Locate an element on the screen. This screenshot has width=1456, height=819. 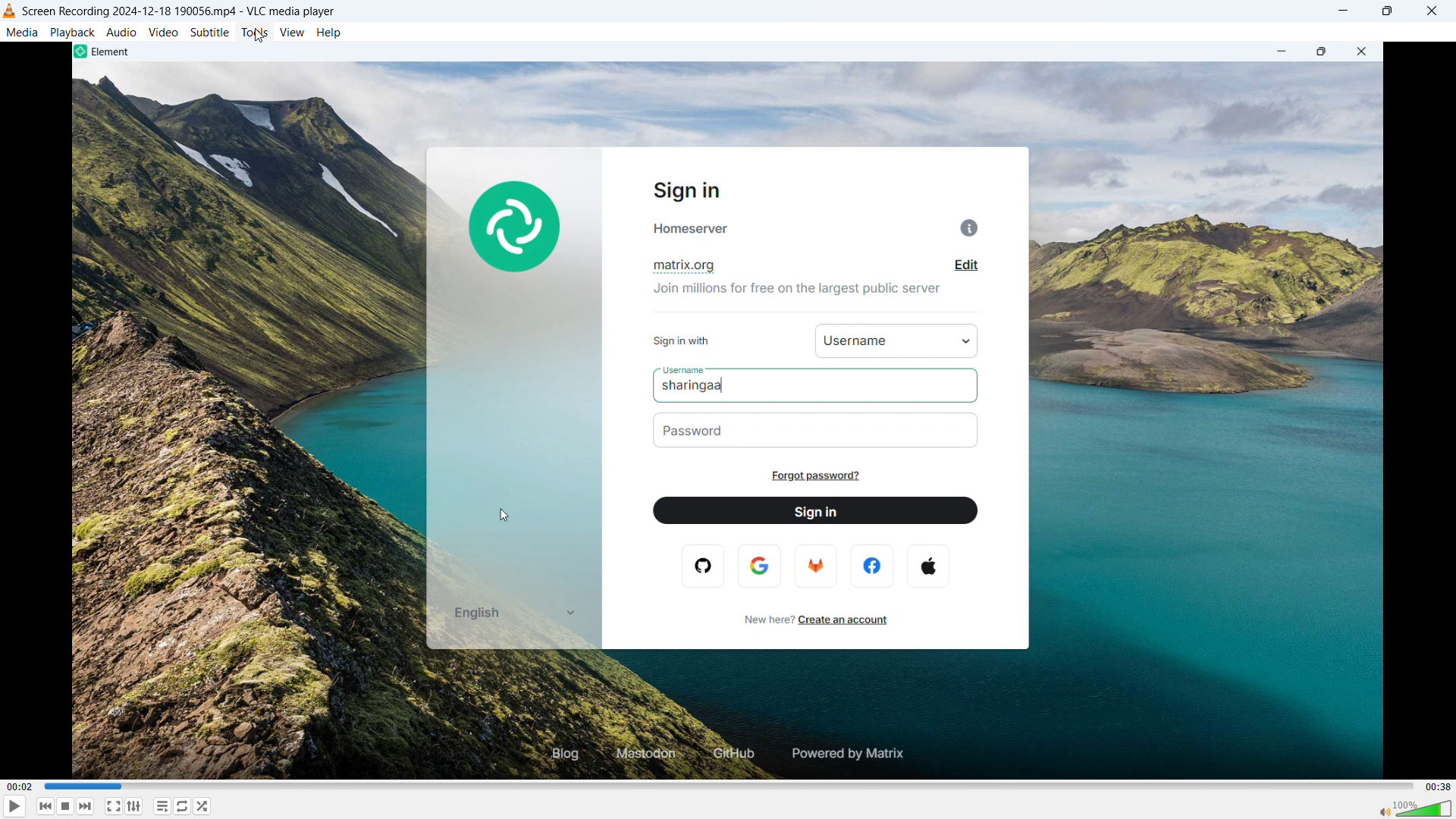
firefox logo is located at coordinates (817, 566).